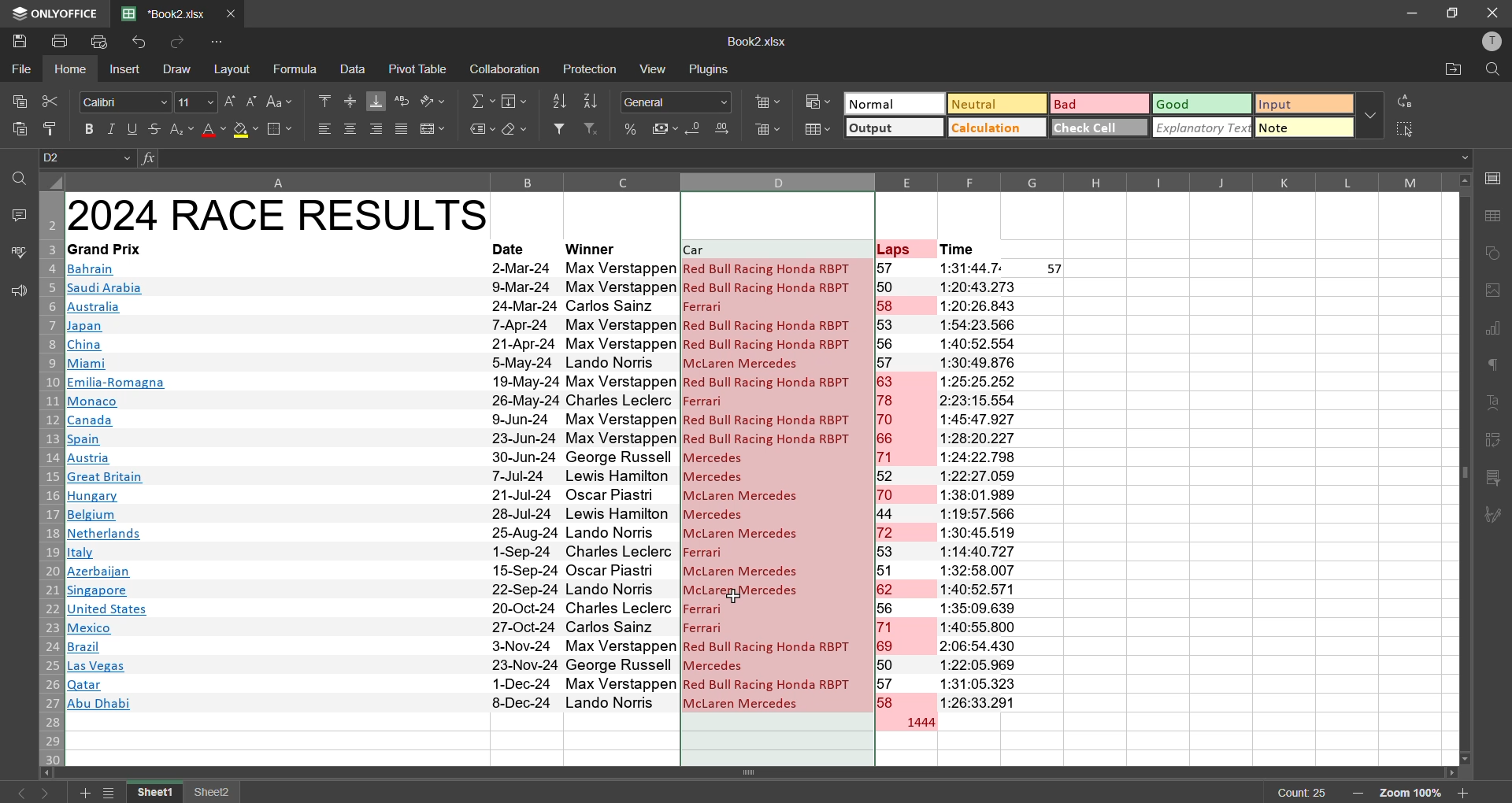  I want to click on replace, so click(1408, 101).